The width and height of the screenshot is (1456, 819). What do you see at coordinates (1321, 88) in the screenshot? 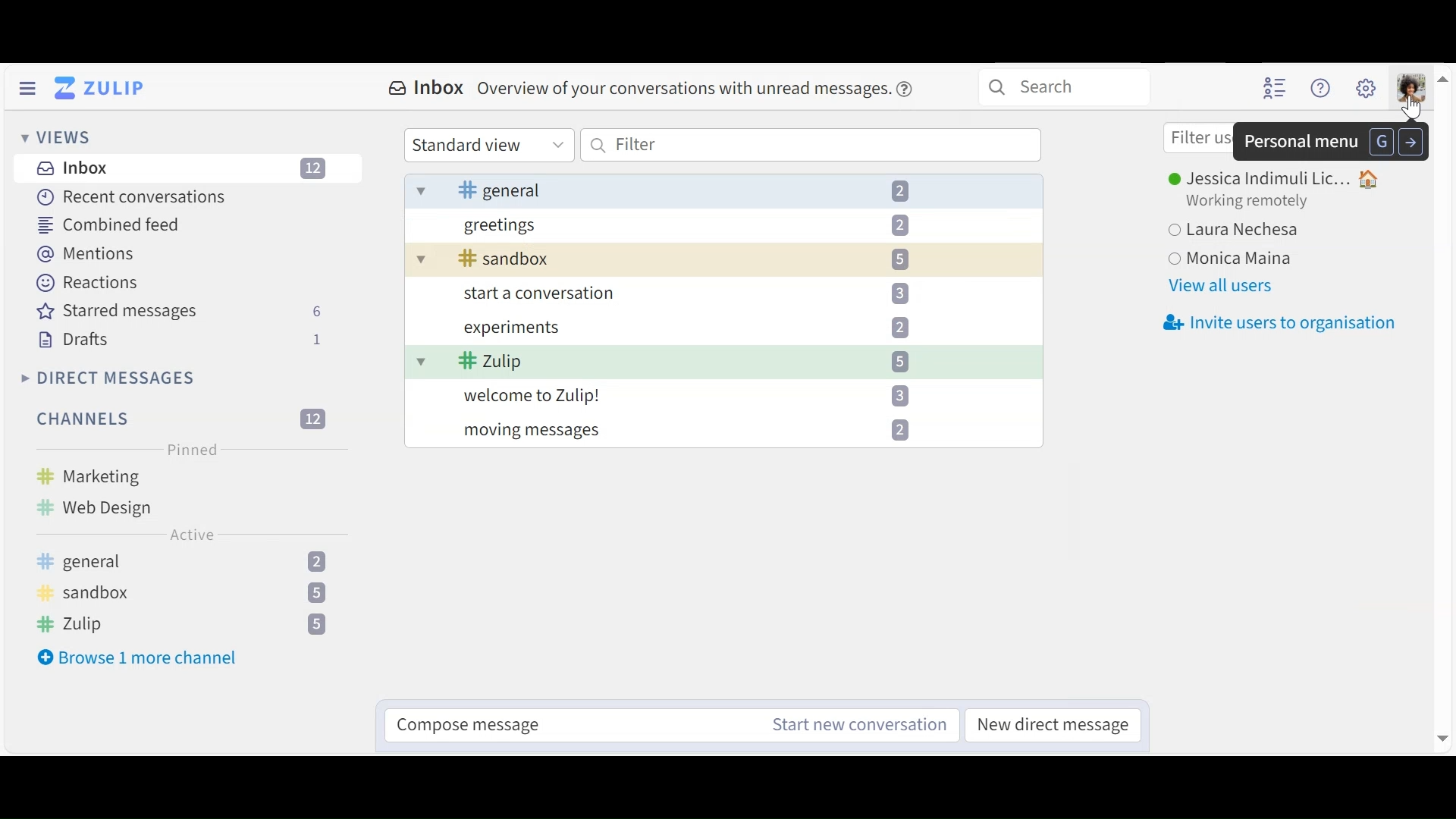
I see `Help menu` at bounding box center [1321, 88].